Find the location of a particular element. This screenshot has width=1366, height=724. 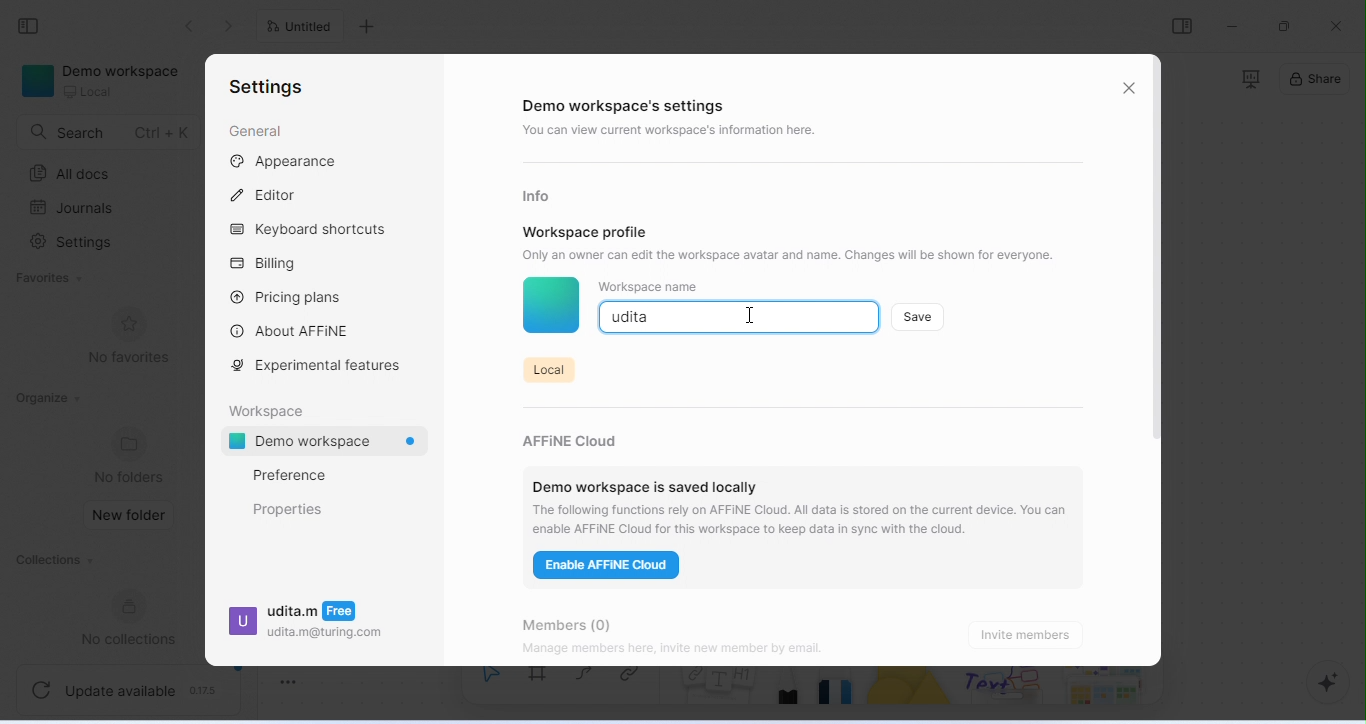

settings is located at coordinates (266, 88).